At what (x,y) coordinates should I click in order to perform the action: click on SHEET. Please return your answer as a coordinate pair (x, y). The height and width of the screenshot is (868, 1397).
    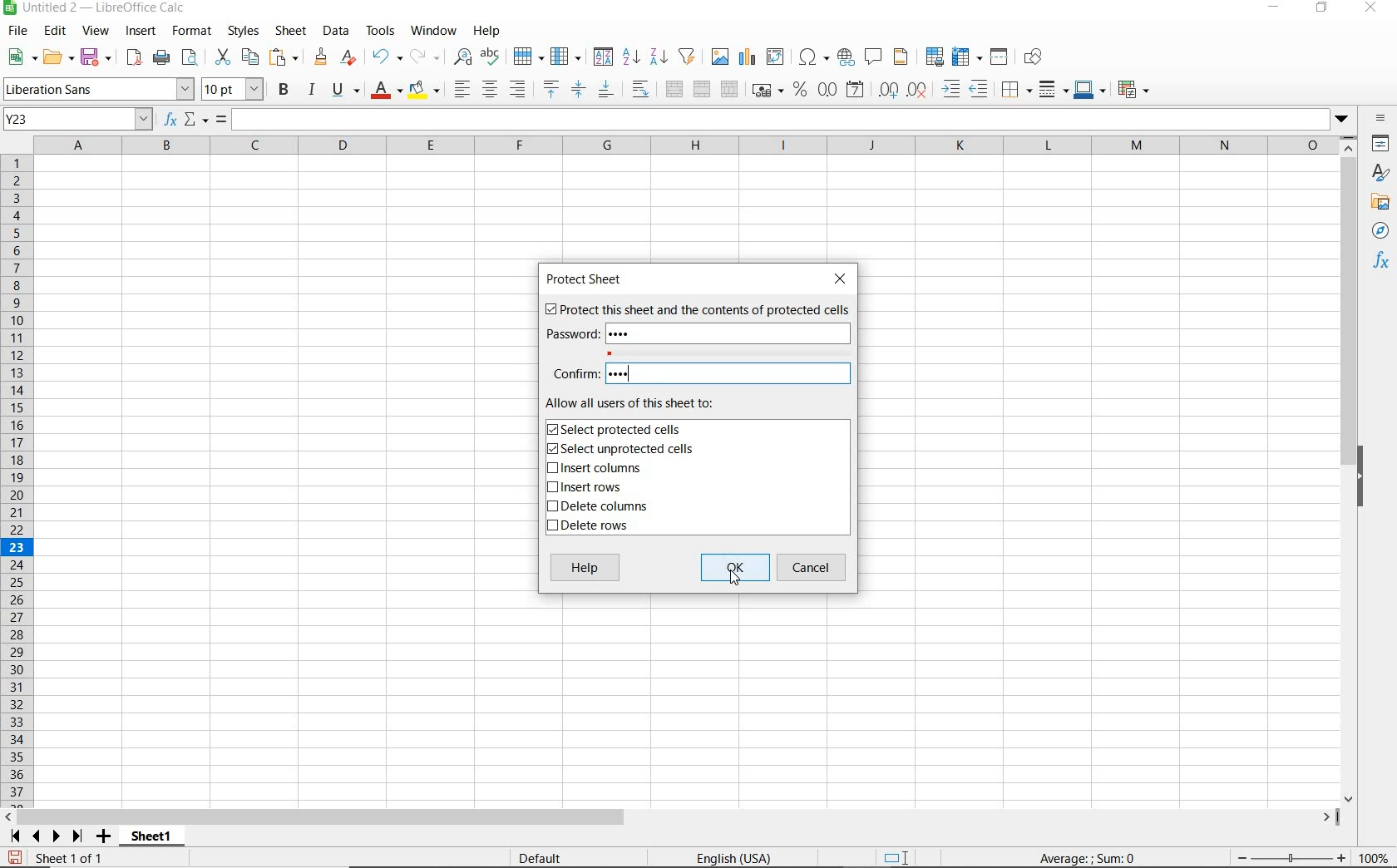
    Looking at the image, I should click on (289, 32).